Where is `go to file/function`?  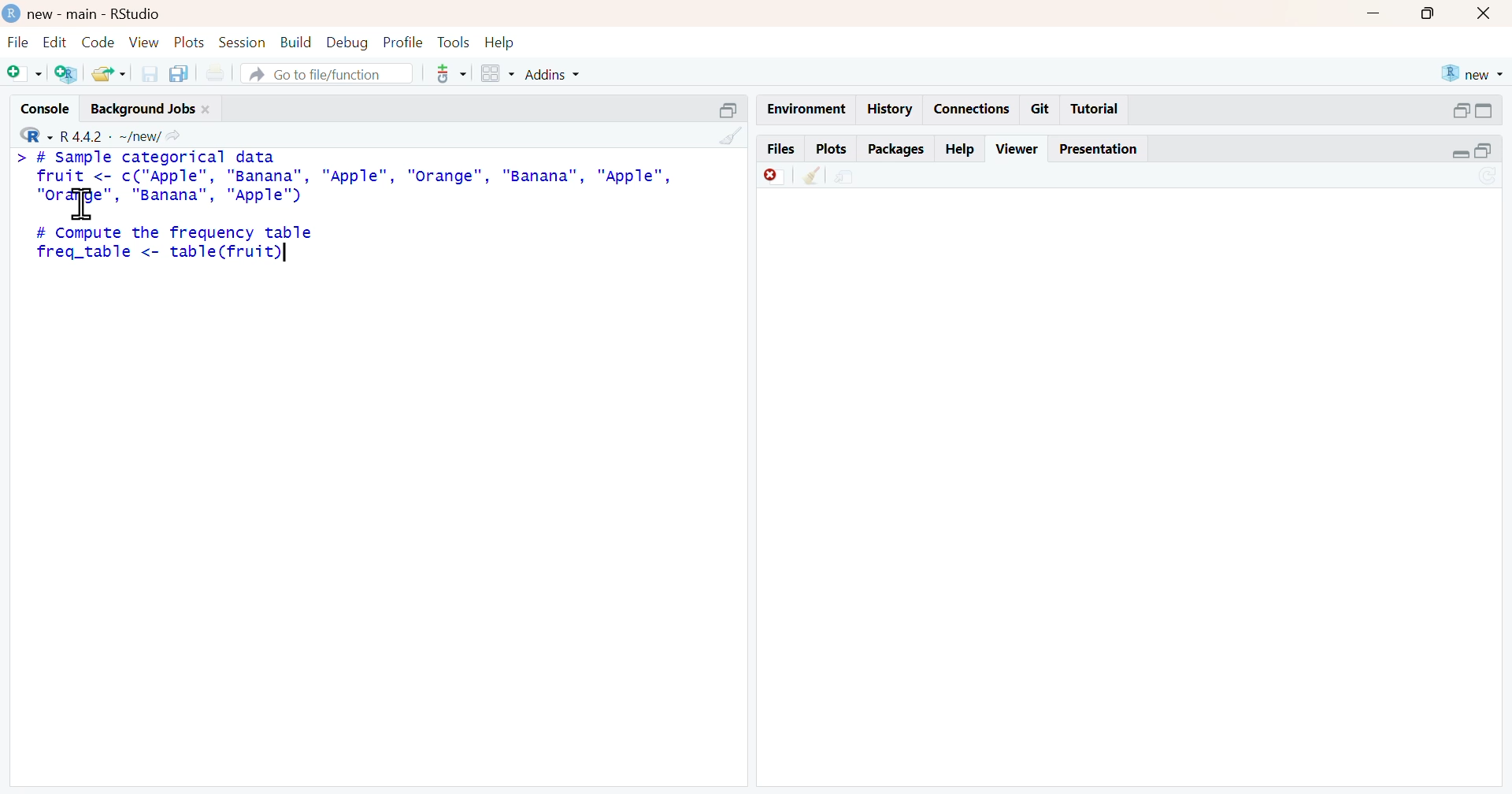
go to file/function is located at coordinates (327, 74).